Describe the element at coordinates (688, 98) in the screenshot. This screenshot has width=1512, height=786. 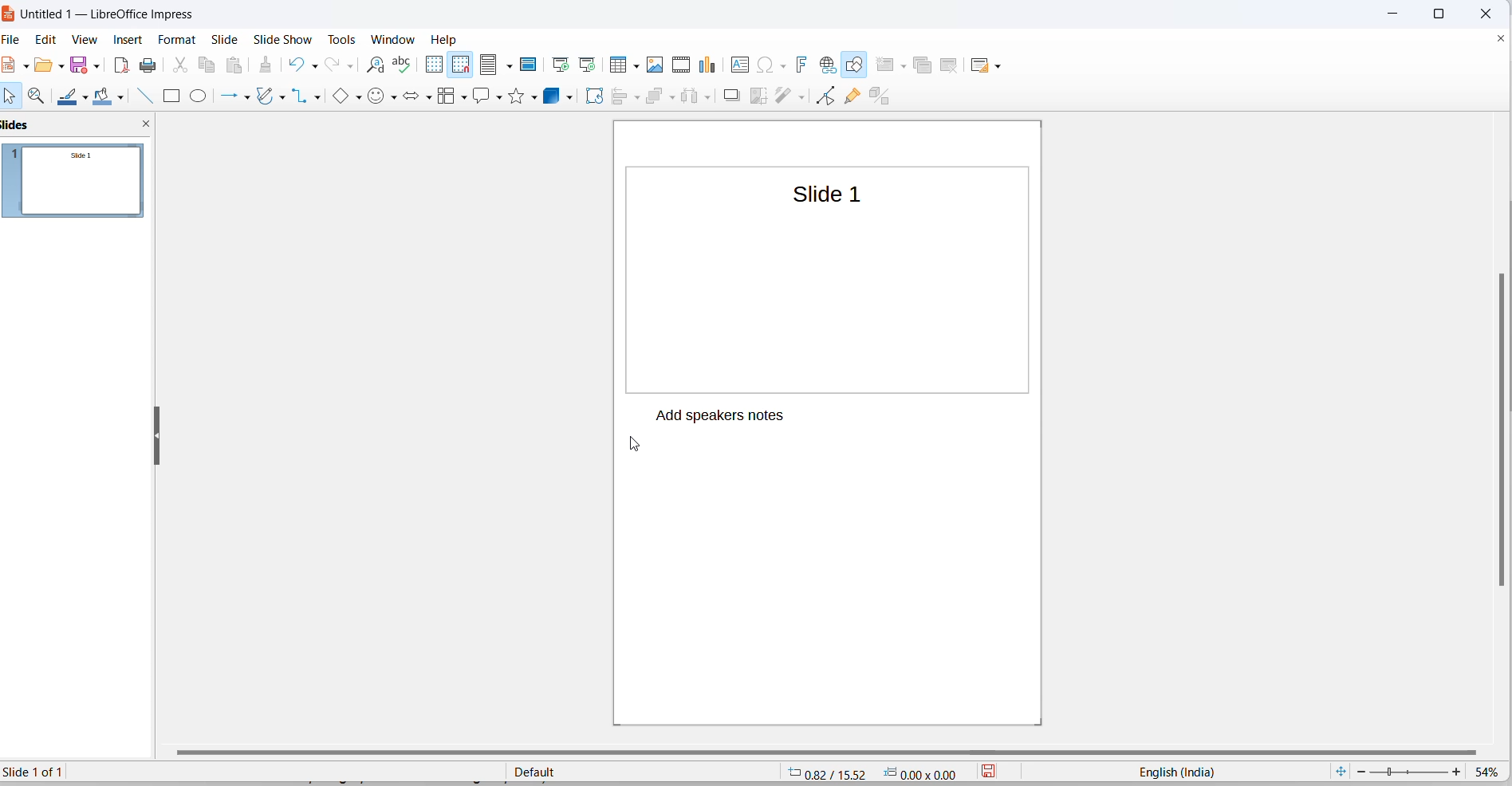
I see `distribute object` at that location.